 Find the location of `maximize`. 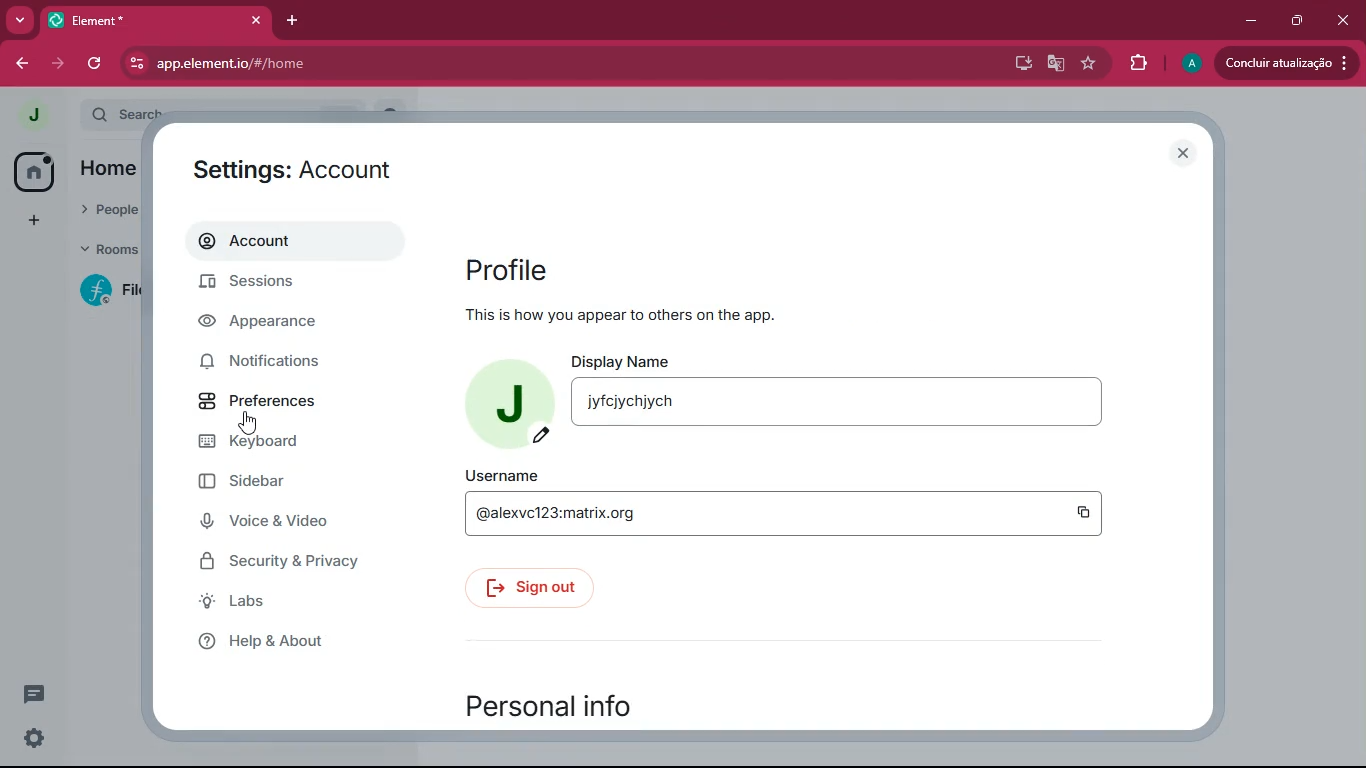

maximize is located at coordinates (1297, 21).